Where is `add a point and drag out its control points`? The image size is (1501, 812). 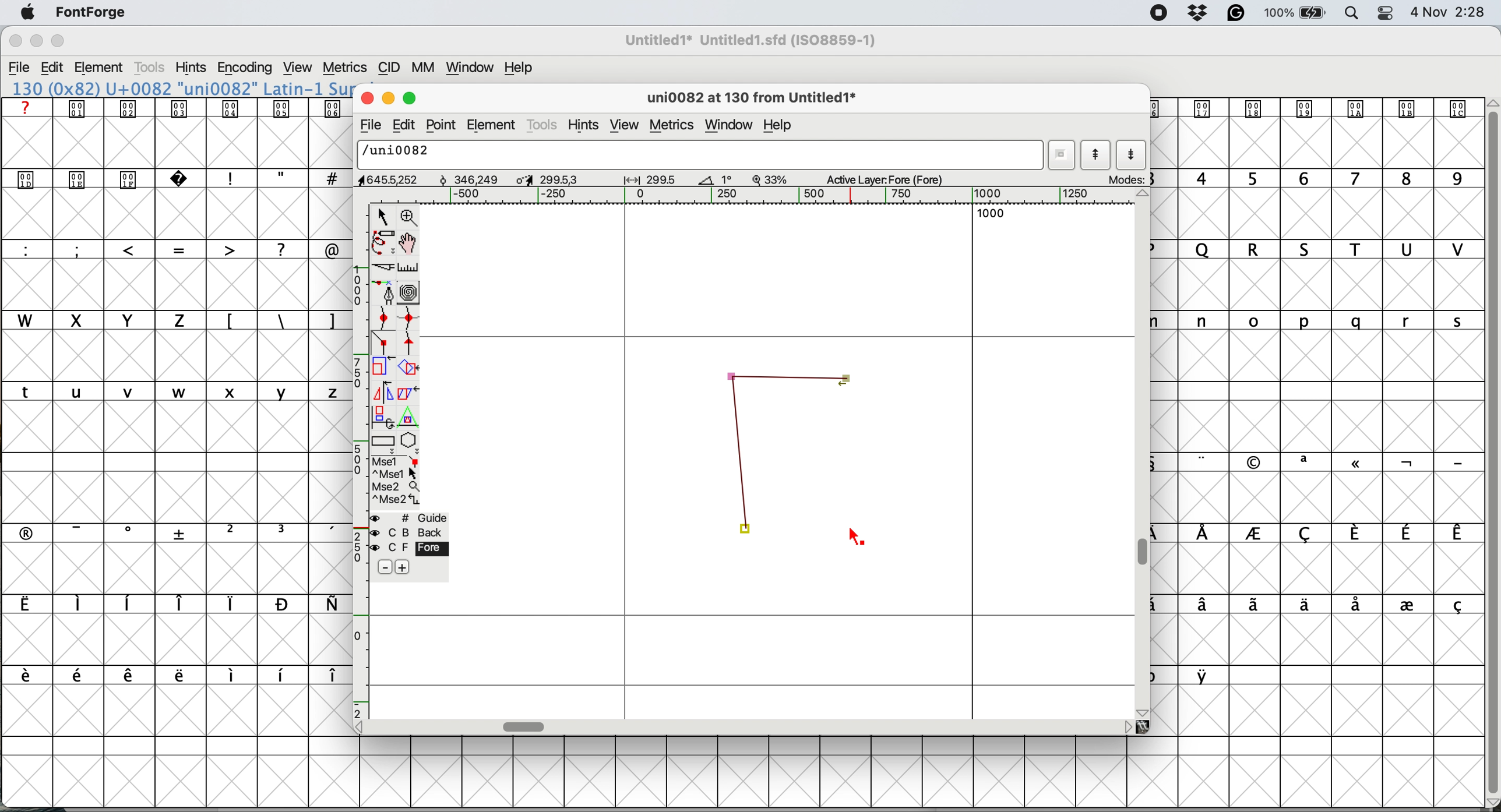 add a point and drag out its control points is located at coordinates (386, 292).